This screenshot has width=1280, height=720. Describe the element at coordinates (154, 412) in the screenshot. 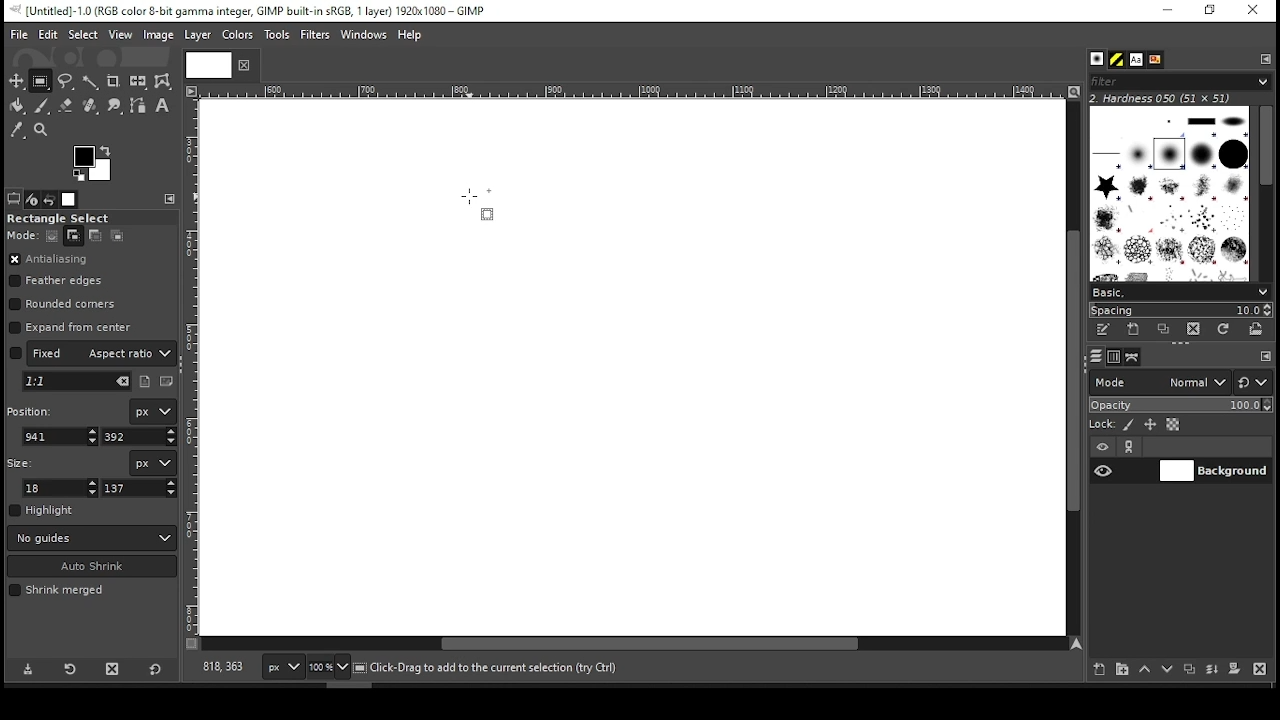

I see `unit` at that location.